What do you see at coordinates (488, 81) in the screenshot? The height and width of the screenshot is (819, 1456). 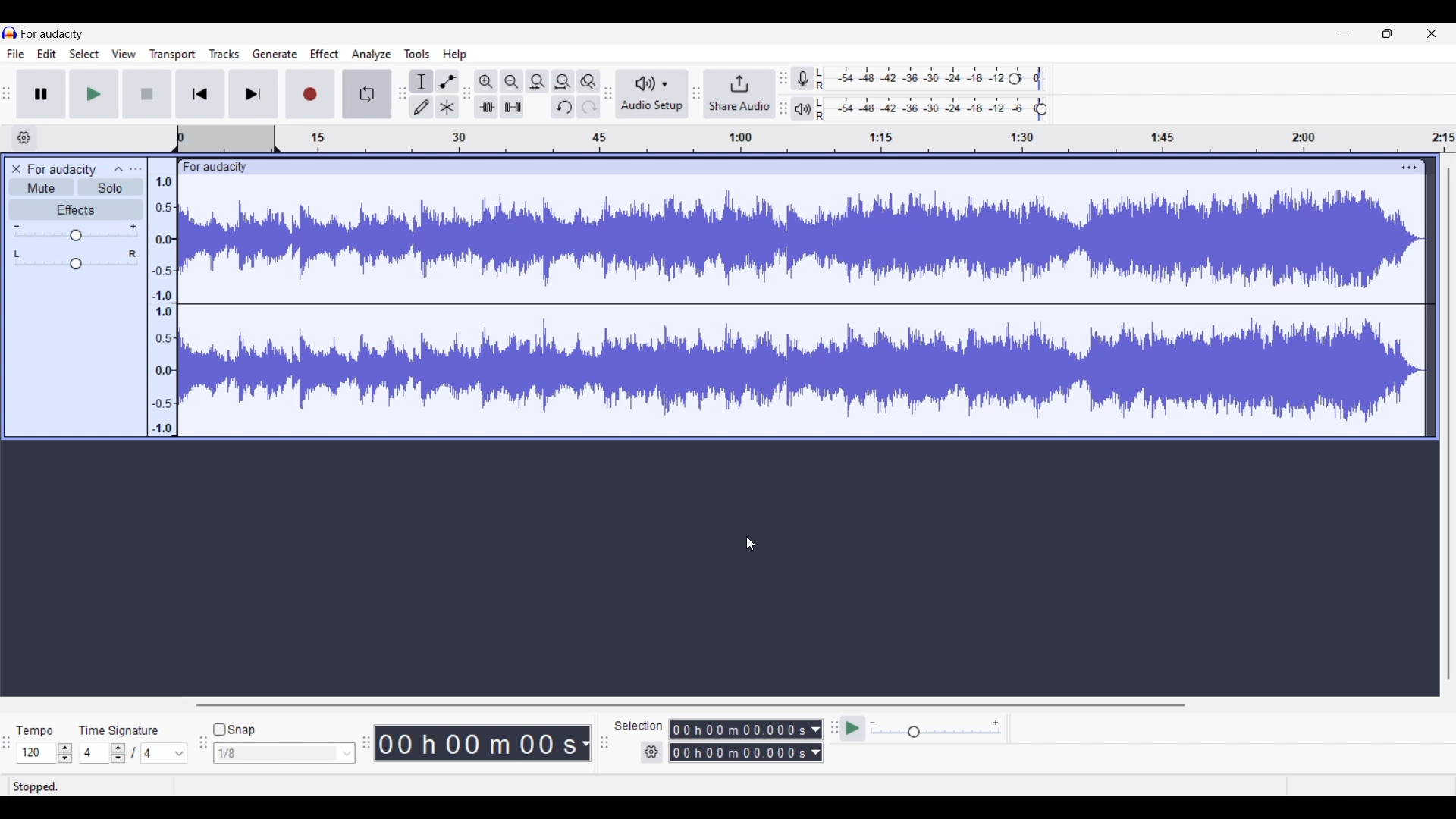 I see `Zoom in` at bounding box center [488, 81].